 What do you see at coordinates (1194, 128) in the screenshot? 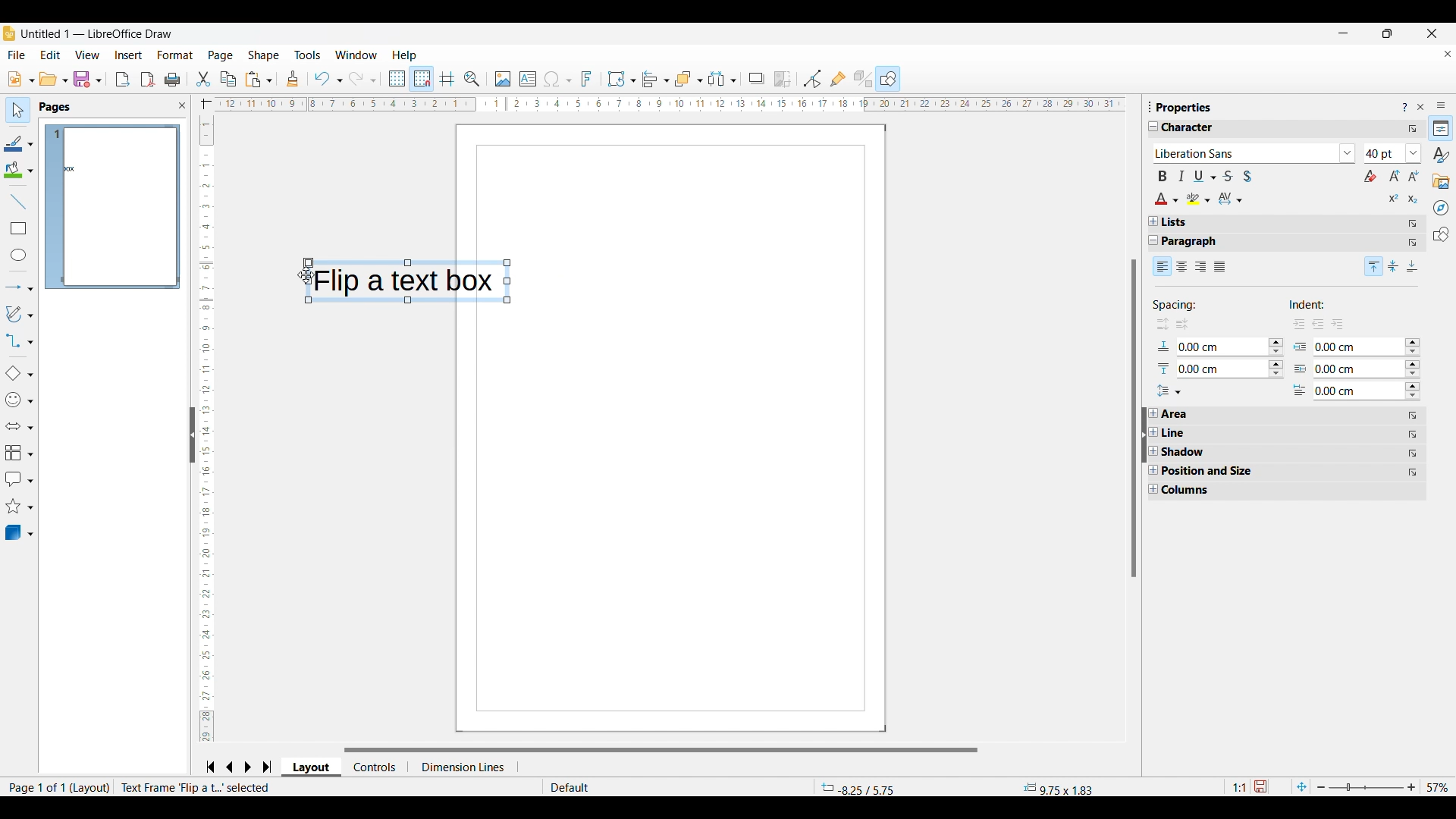
I see `character` at bounding box center [1194, 128].